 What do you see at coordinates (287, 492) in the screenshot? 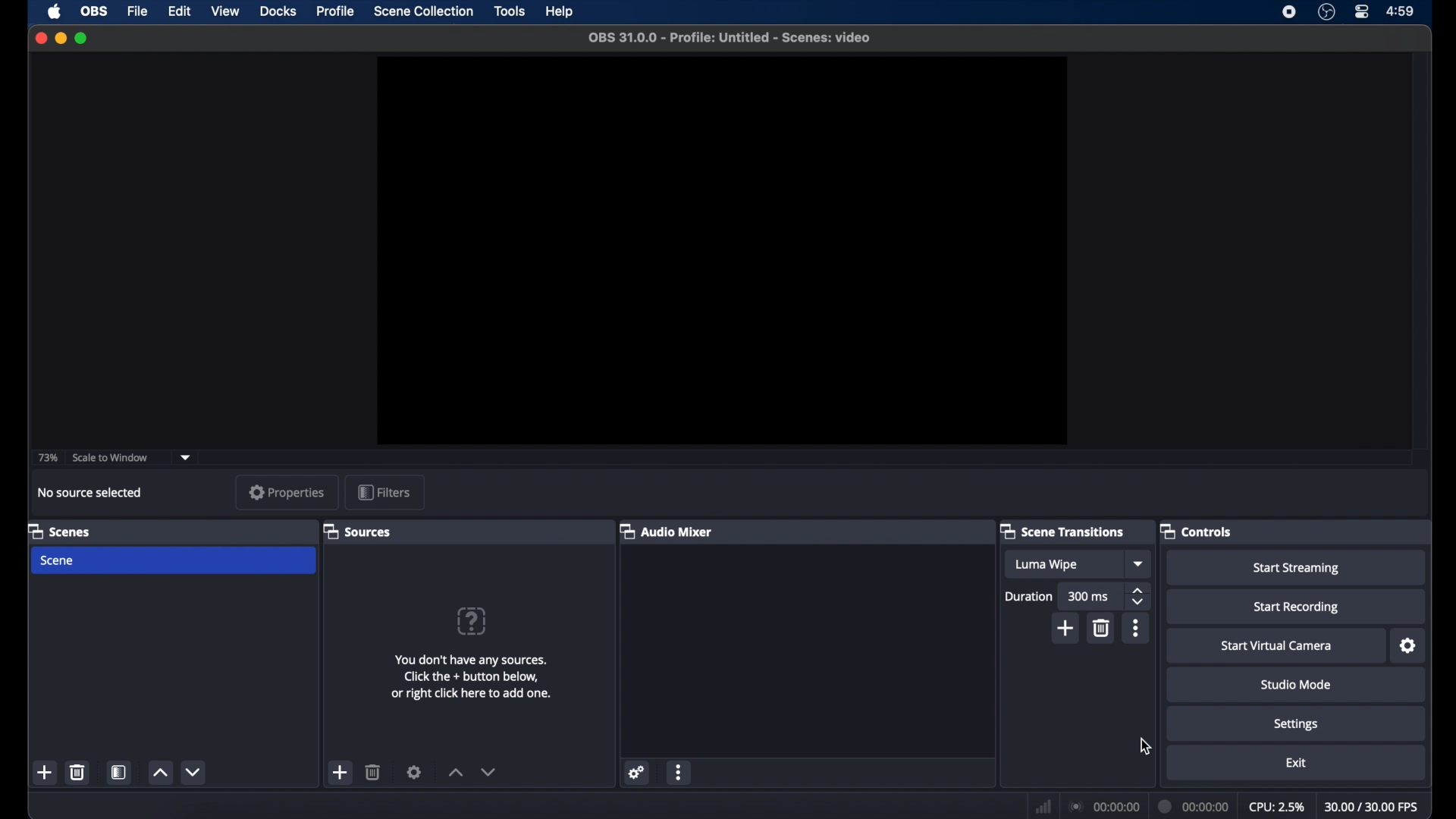
I see `properties` at bounding box center [287, 492].